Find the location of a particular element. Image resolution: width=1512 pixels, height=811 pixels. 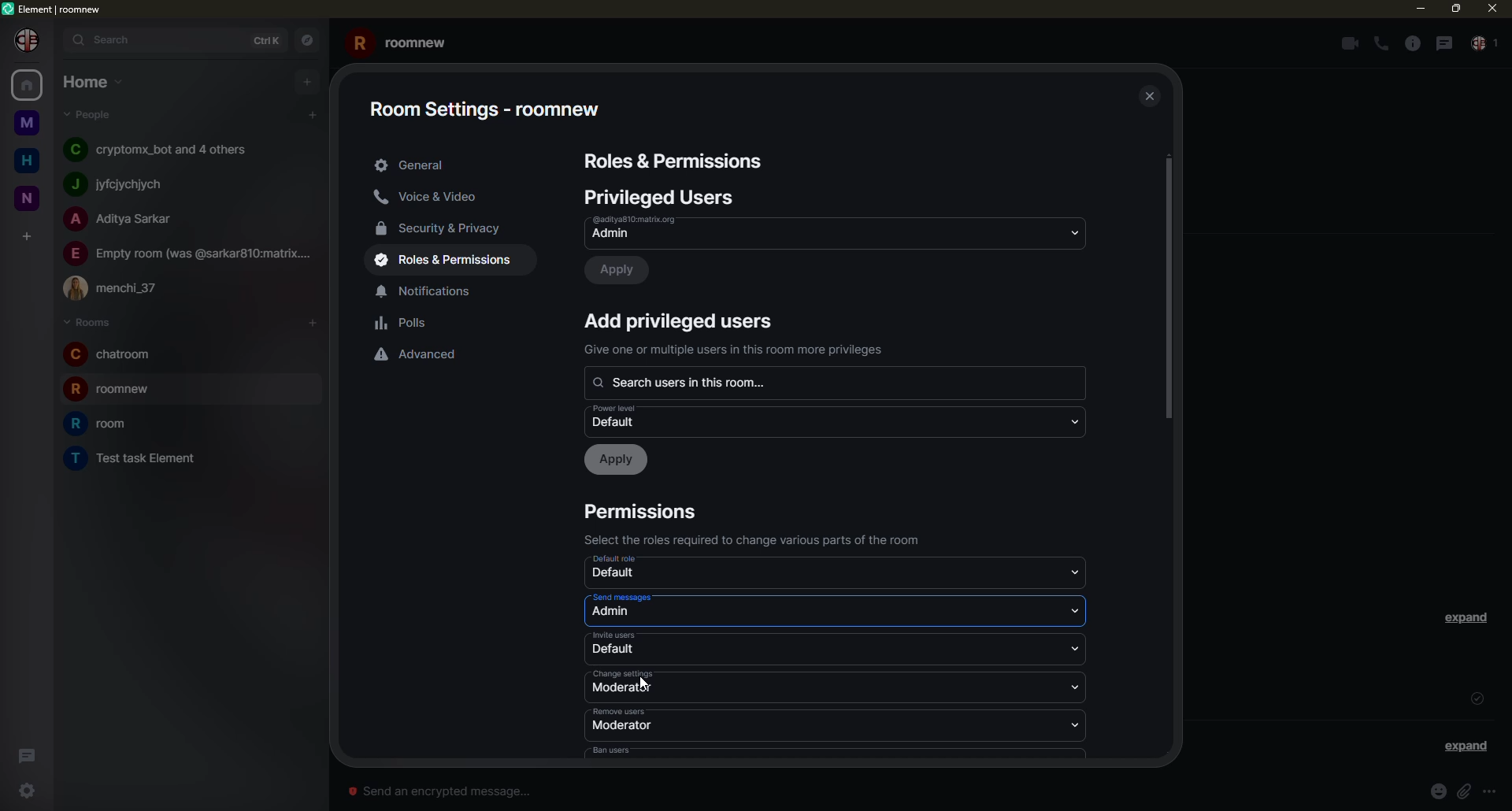

default is located at coordinates (617, 613).